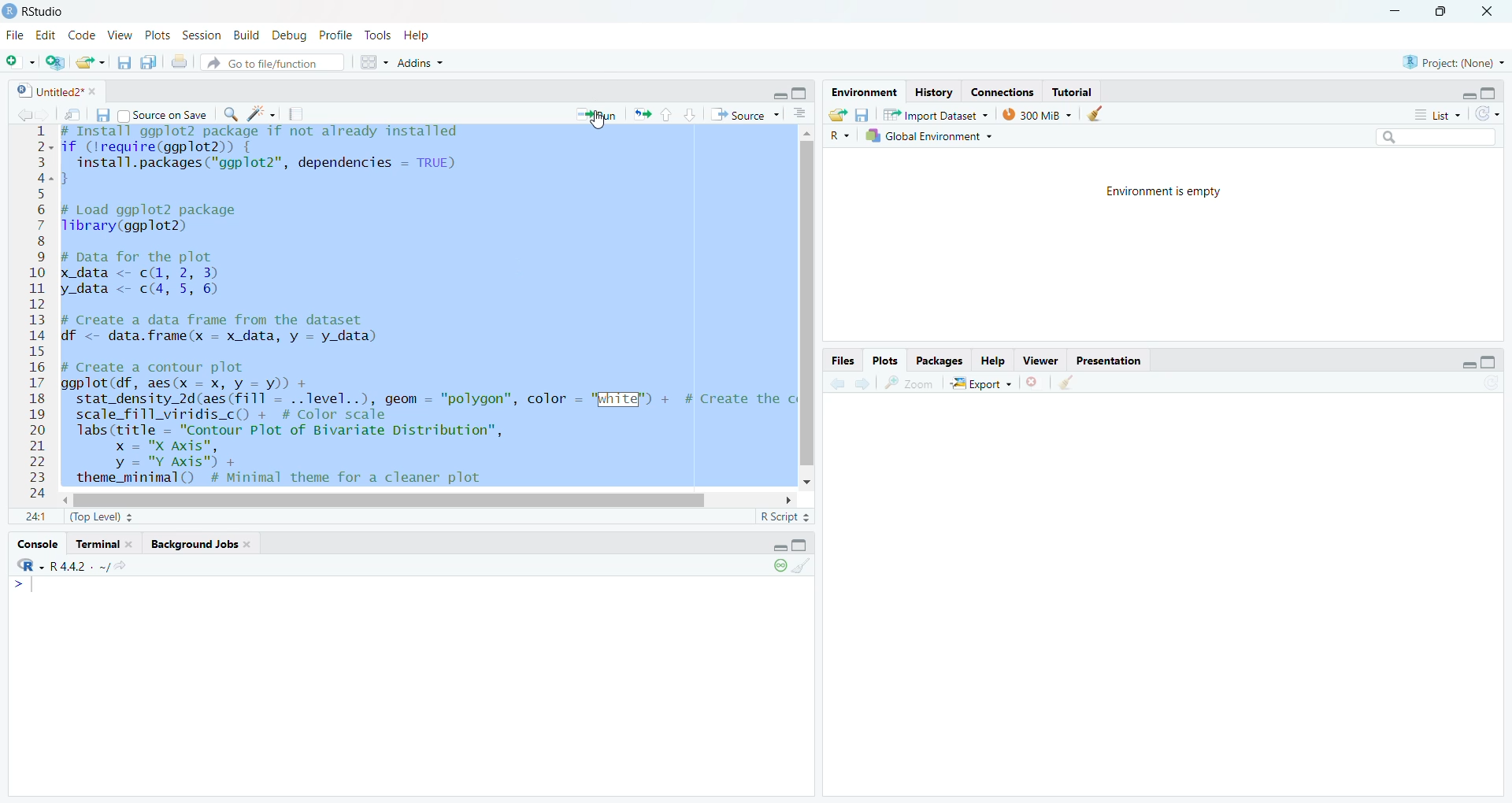 The height and width of the screenshot is (803, 1512). Describe the element at coordinates (158, 37) in the screenshot. I see `Plots` at that location.